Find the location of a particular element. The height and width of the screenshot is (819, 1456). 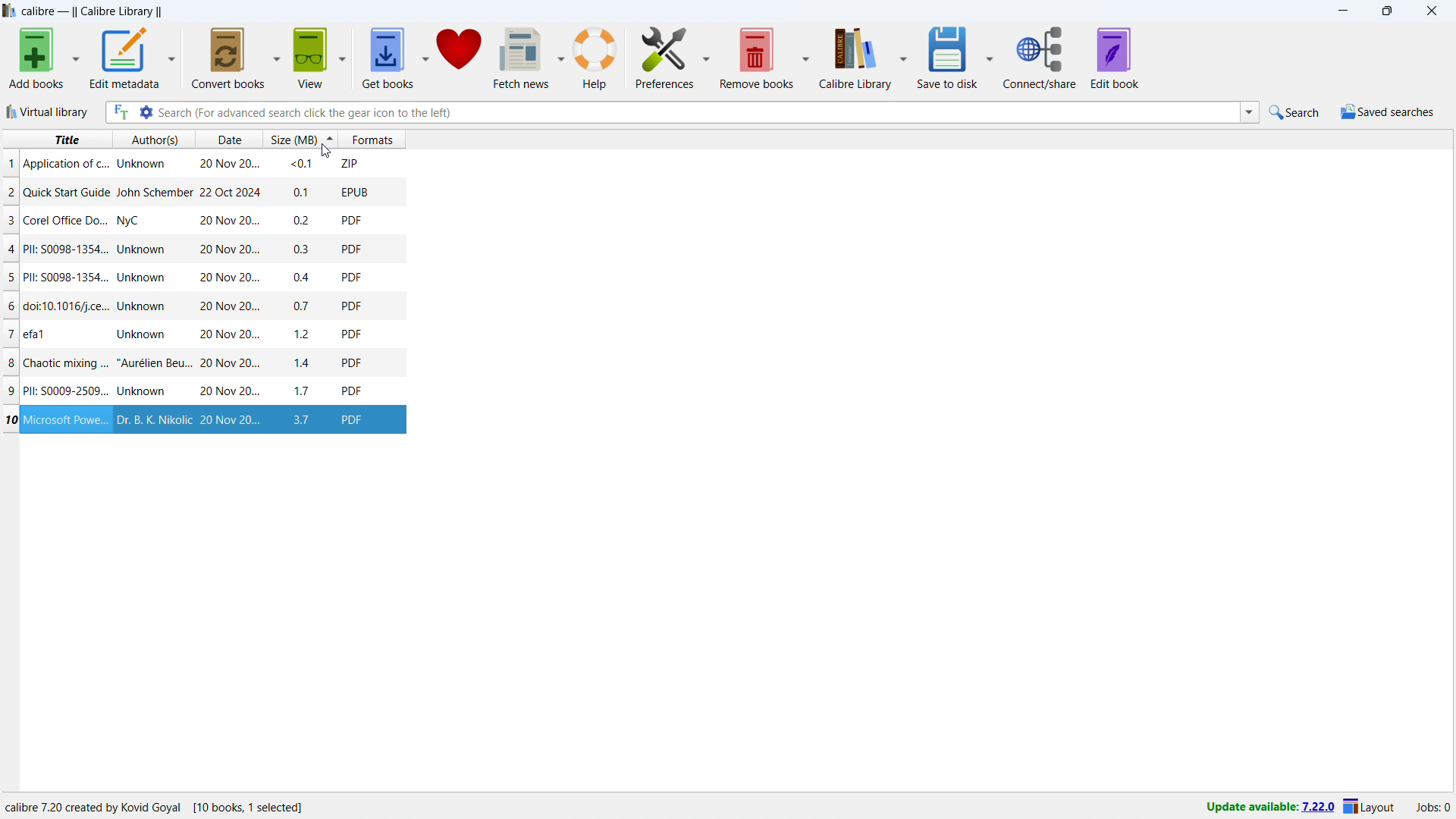

help is located at coordinates (595, 57).